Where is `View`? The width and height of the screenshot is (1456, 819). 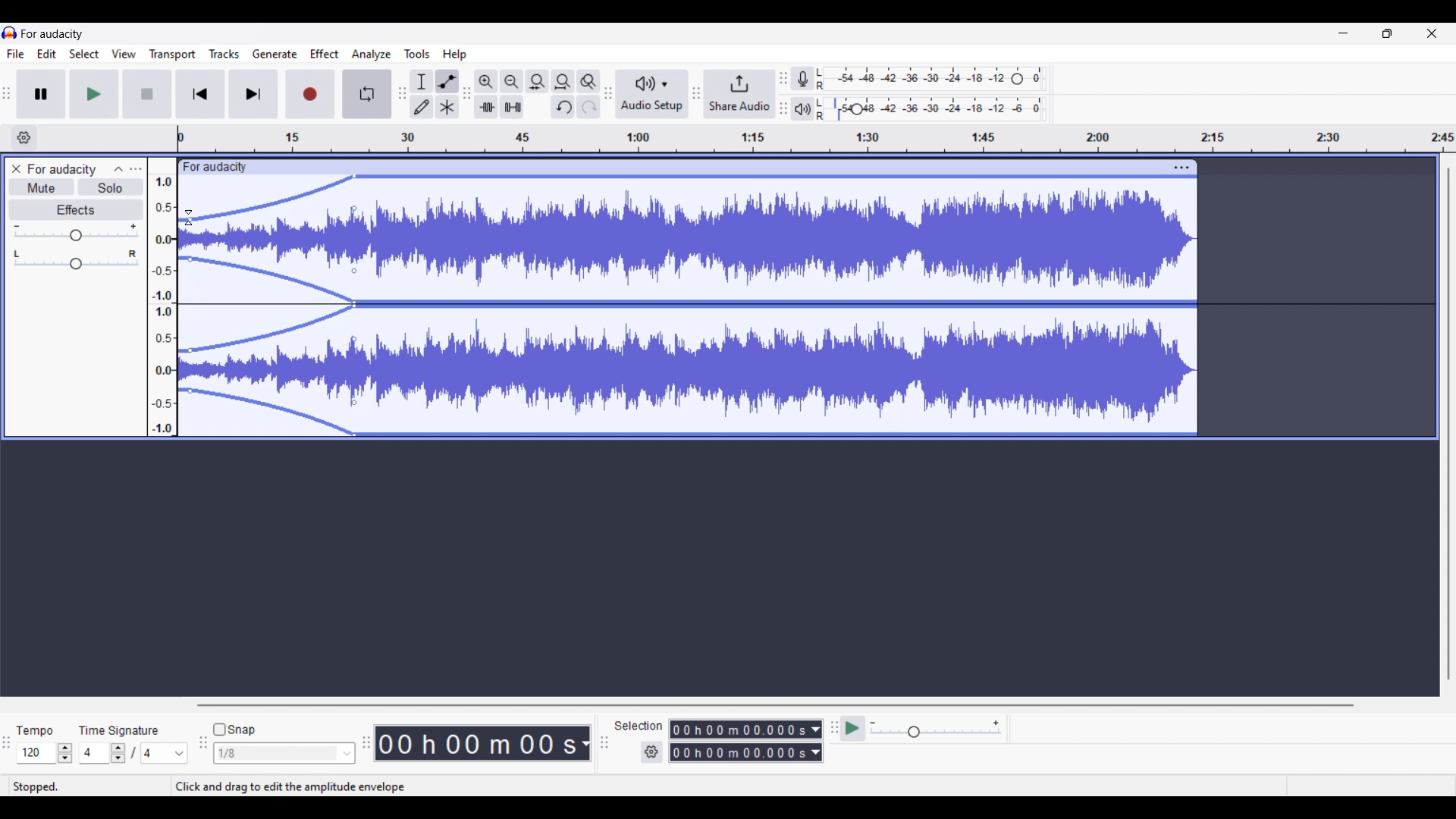 View is located at coordinates (124, 54).